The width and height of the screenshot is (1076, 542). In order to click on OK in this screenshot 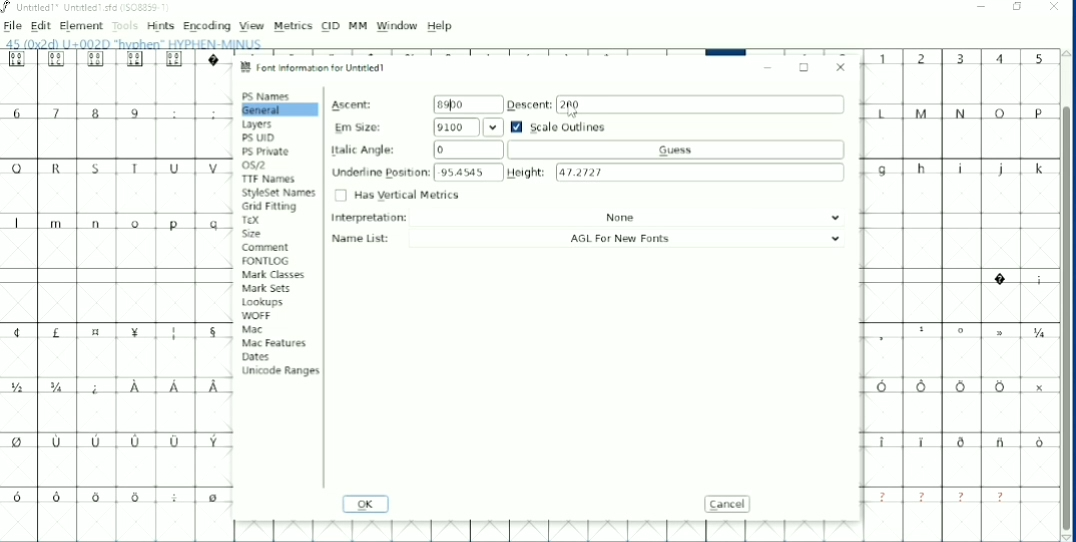, I will do `click(365, 505)`.